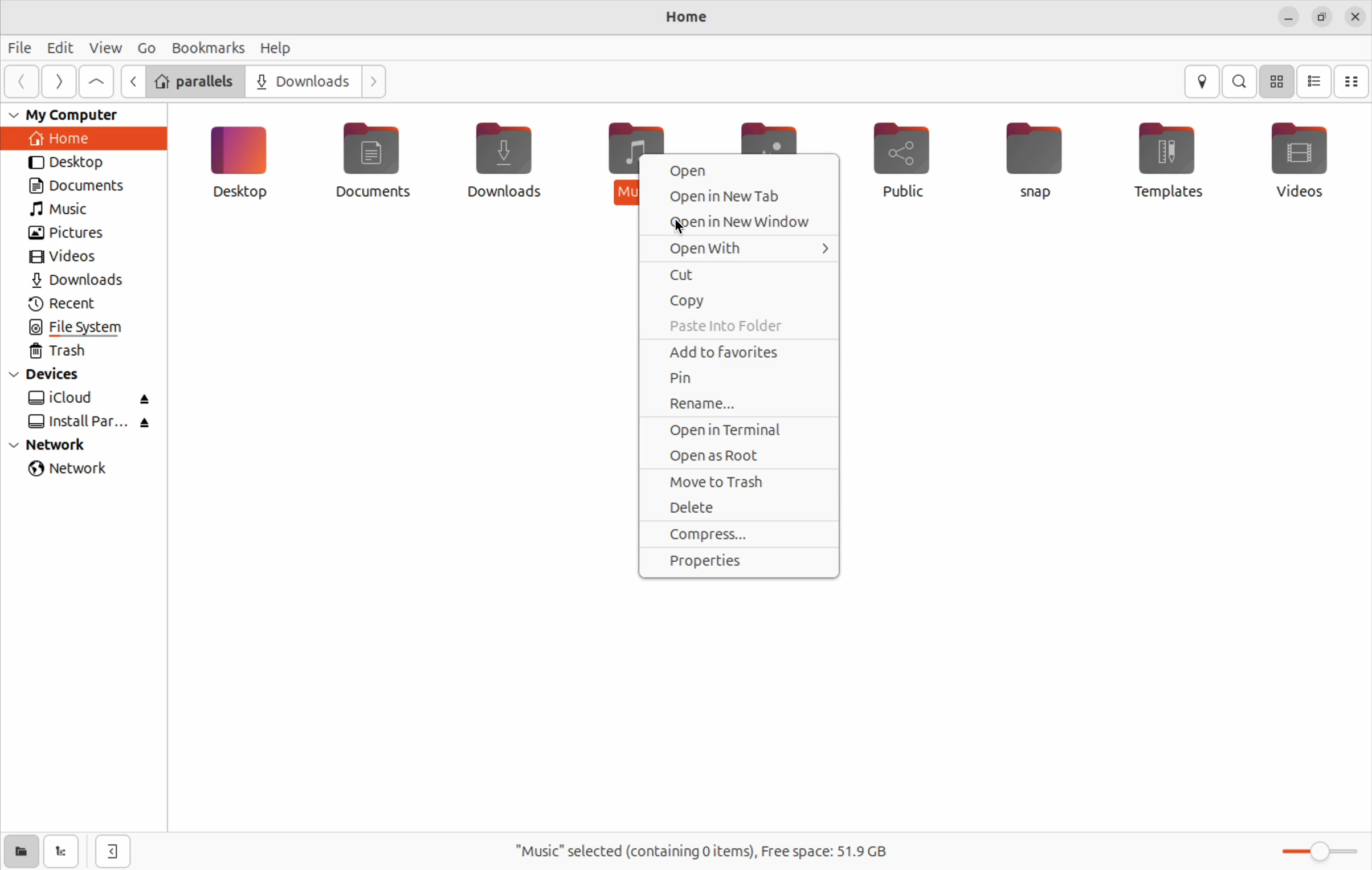 The image size is (1372, 870). I want to click on Snap file, so click(1040, 162).